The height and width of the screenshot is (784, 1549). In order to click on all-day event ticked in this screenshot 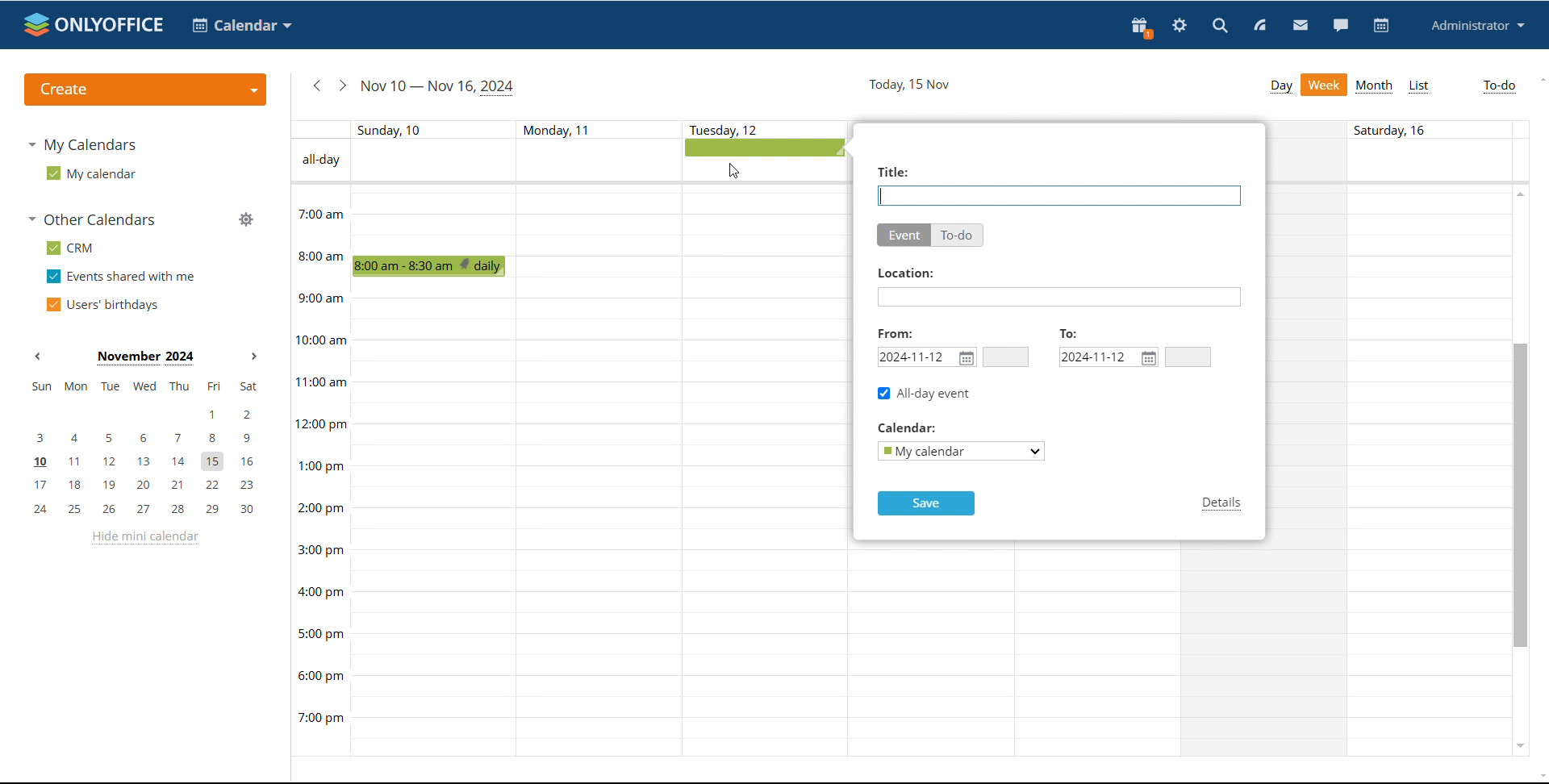, I will do `click(925, 393)`.